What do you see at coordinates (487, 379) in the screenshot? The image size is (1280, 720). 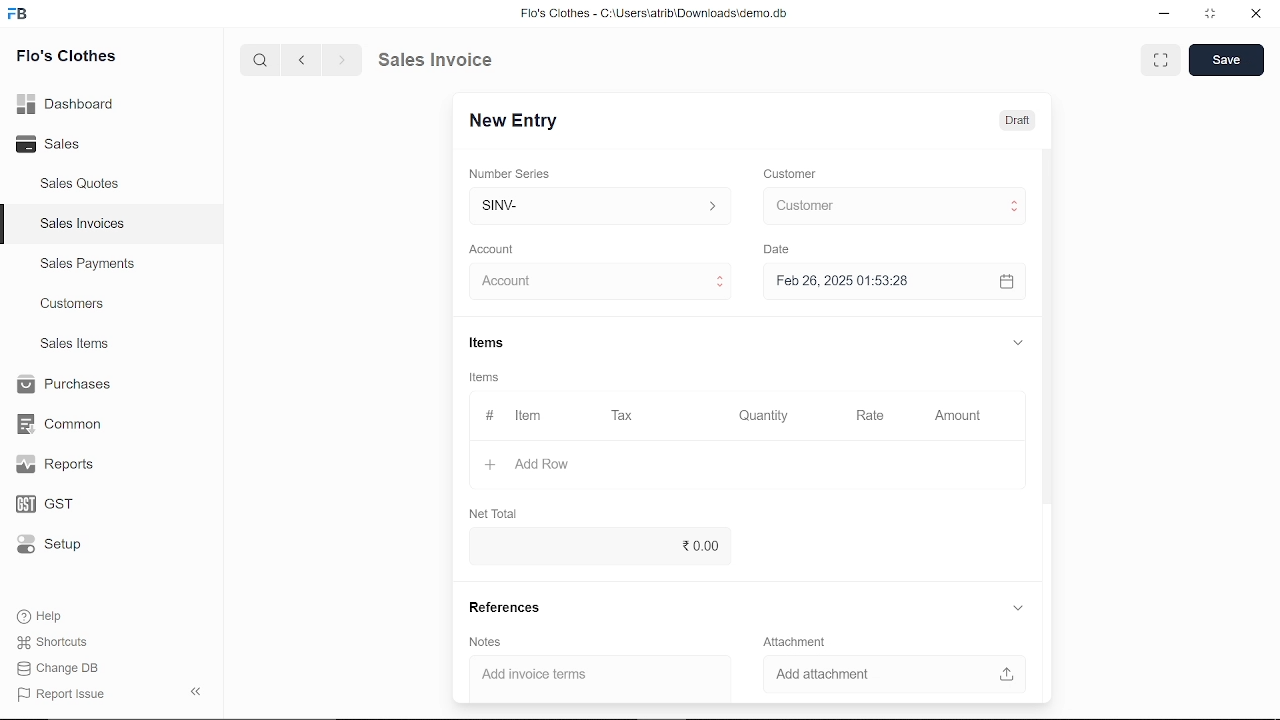 I see `` at bounding box center [487, 379].